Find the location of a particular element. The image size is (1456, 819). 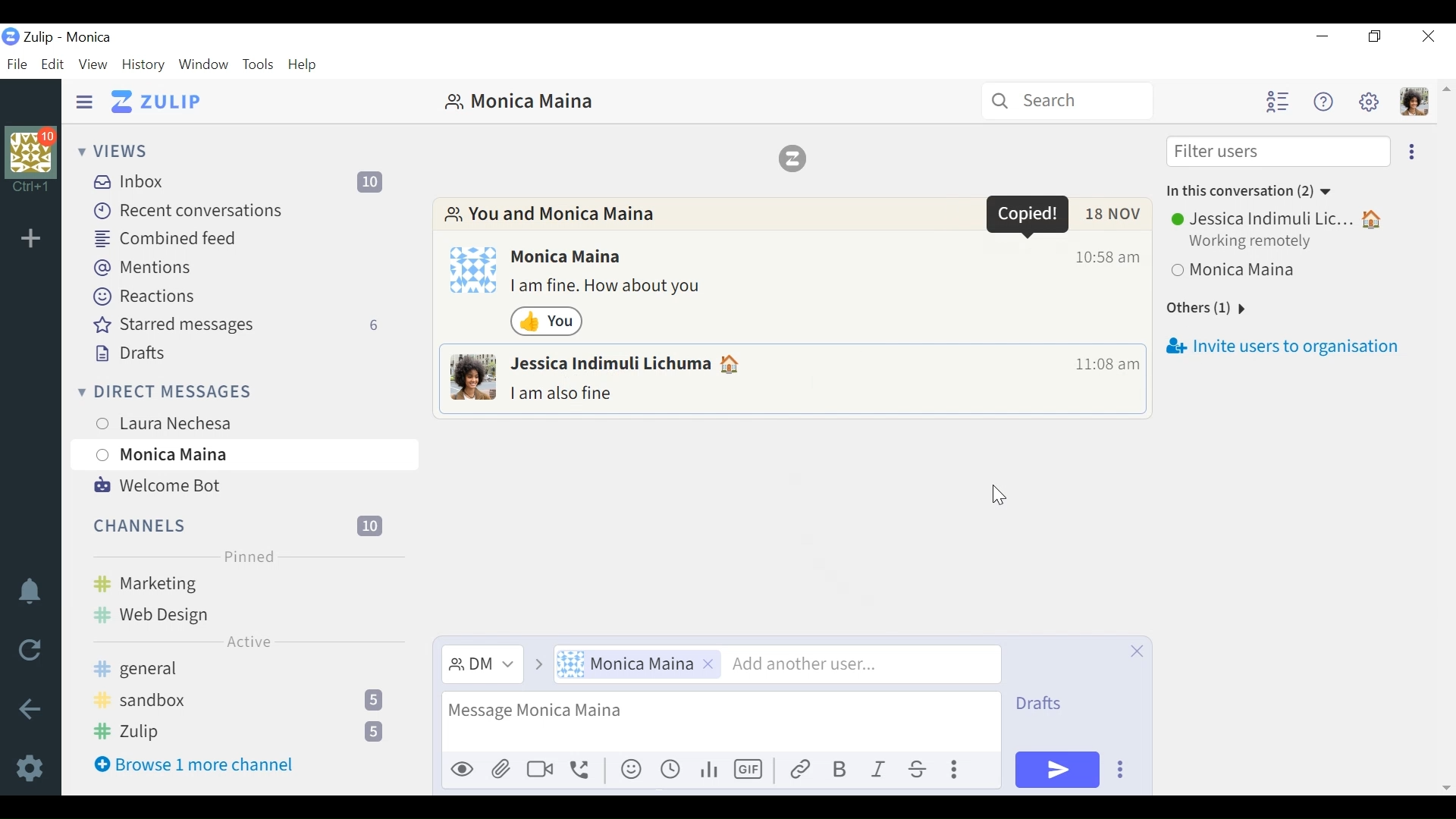

Hide Sidebar is located at coordinates (84, 100).